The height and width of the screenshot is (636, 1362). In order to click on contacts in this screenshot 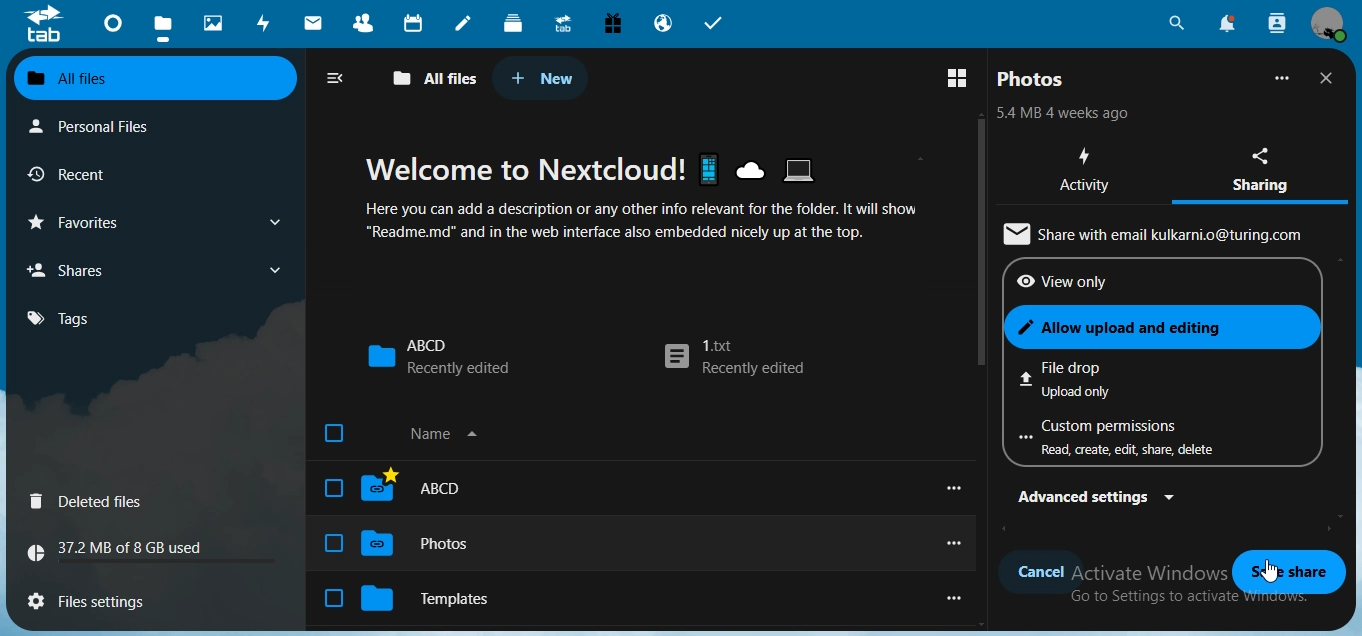, I will do `click(369, 25)`.